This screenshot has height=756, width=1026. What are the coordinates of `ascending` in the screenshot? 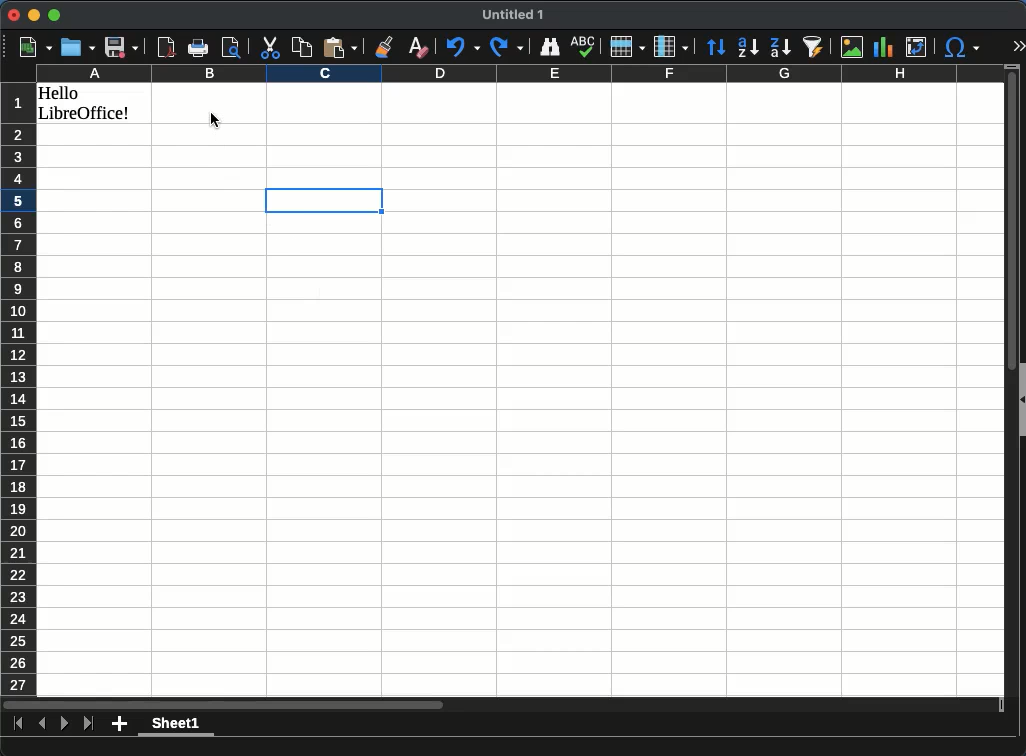 It's located at (748, 45).